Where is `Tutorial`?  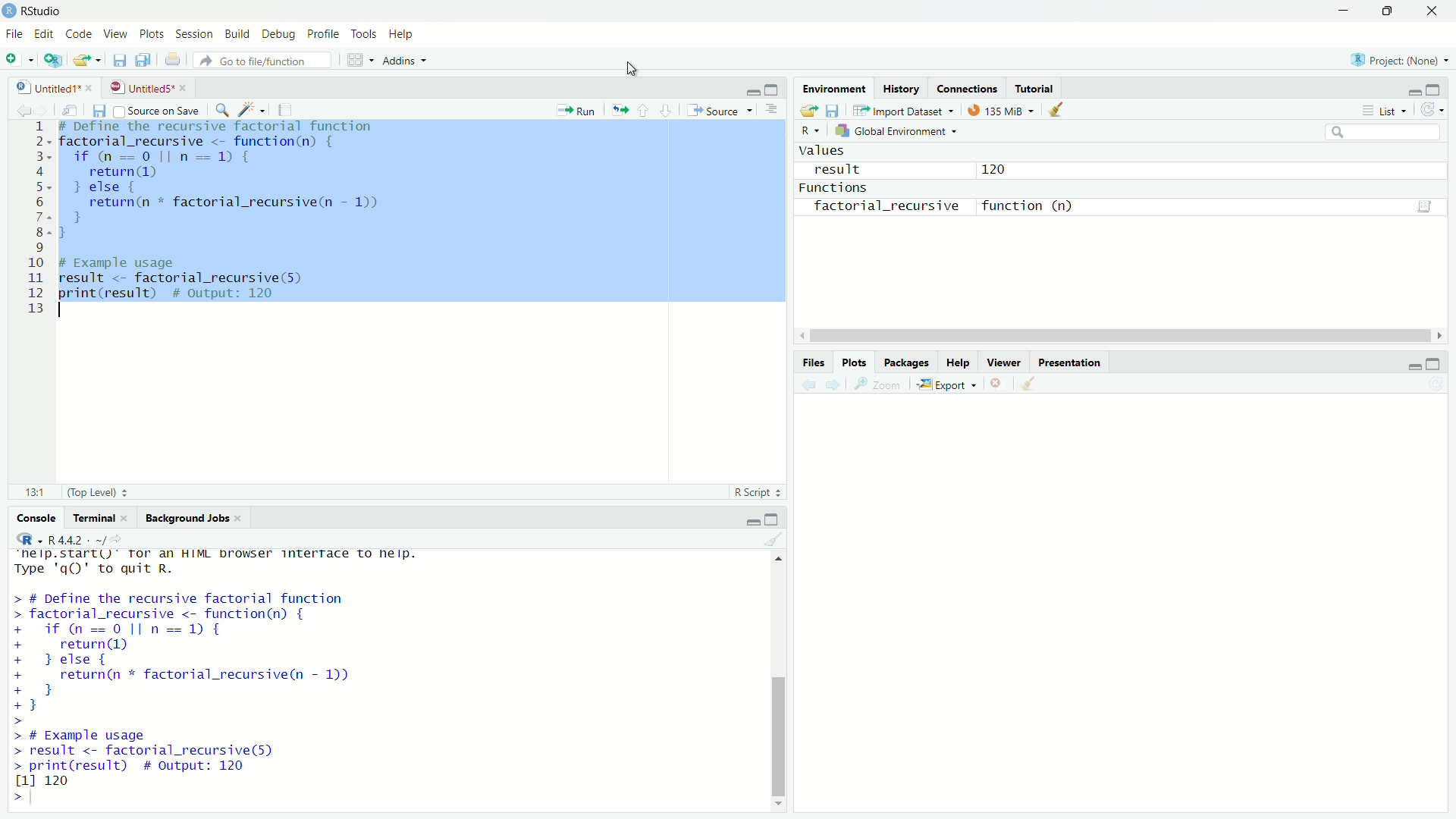
Tutorial is located at coordinates (1037, 86).